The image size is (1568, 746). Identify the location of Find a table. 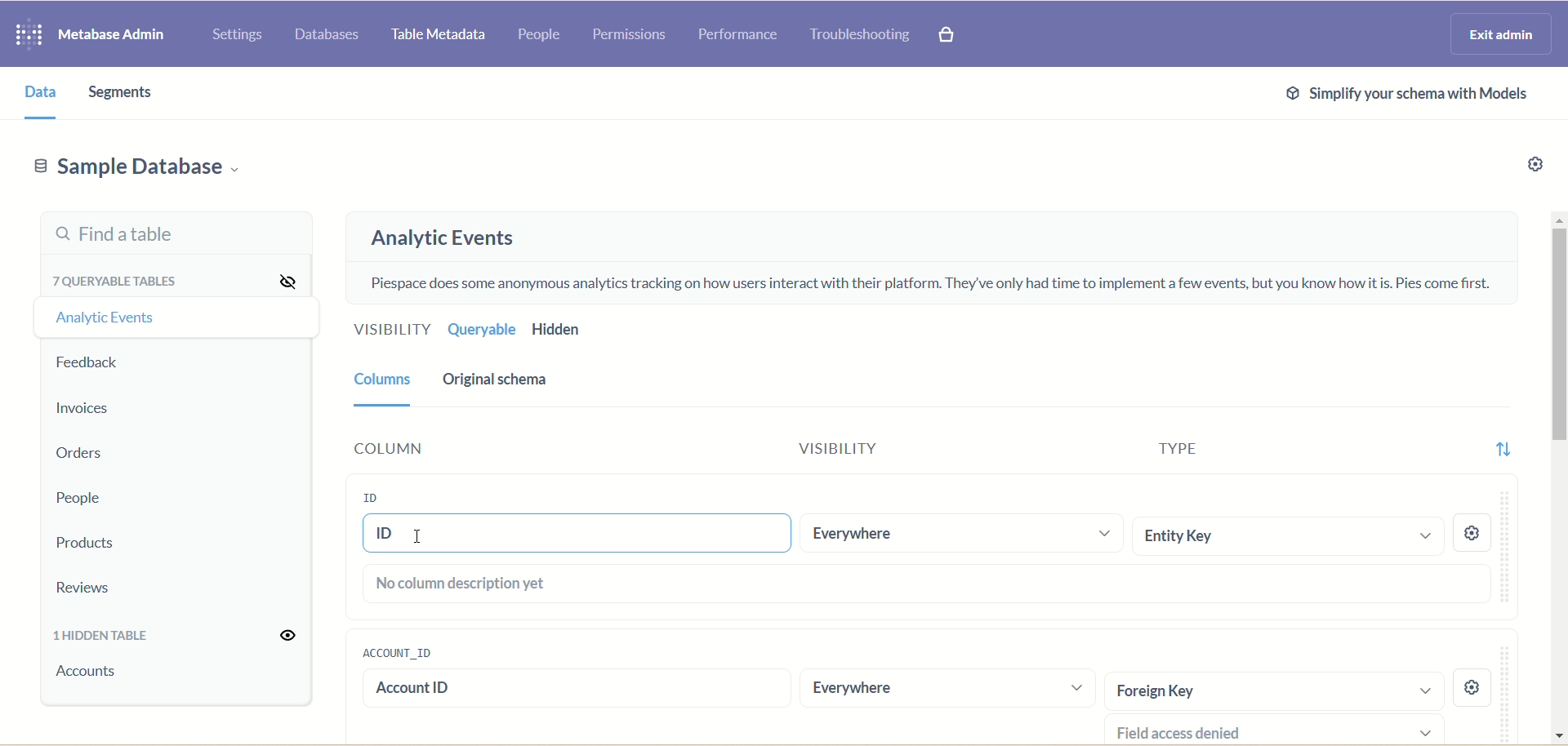
(171, 233).